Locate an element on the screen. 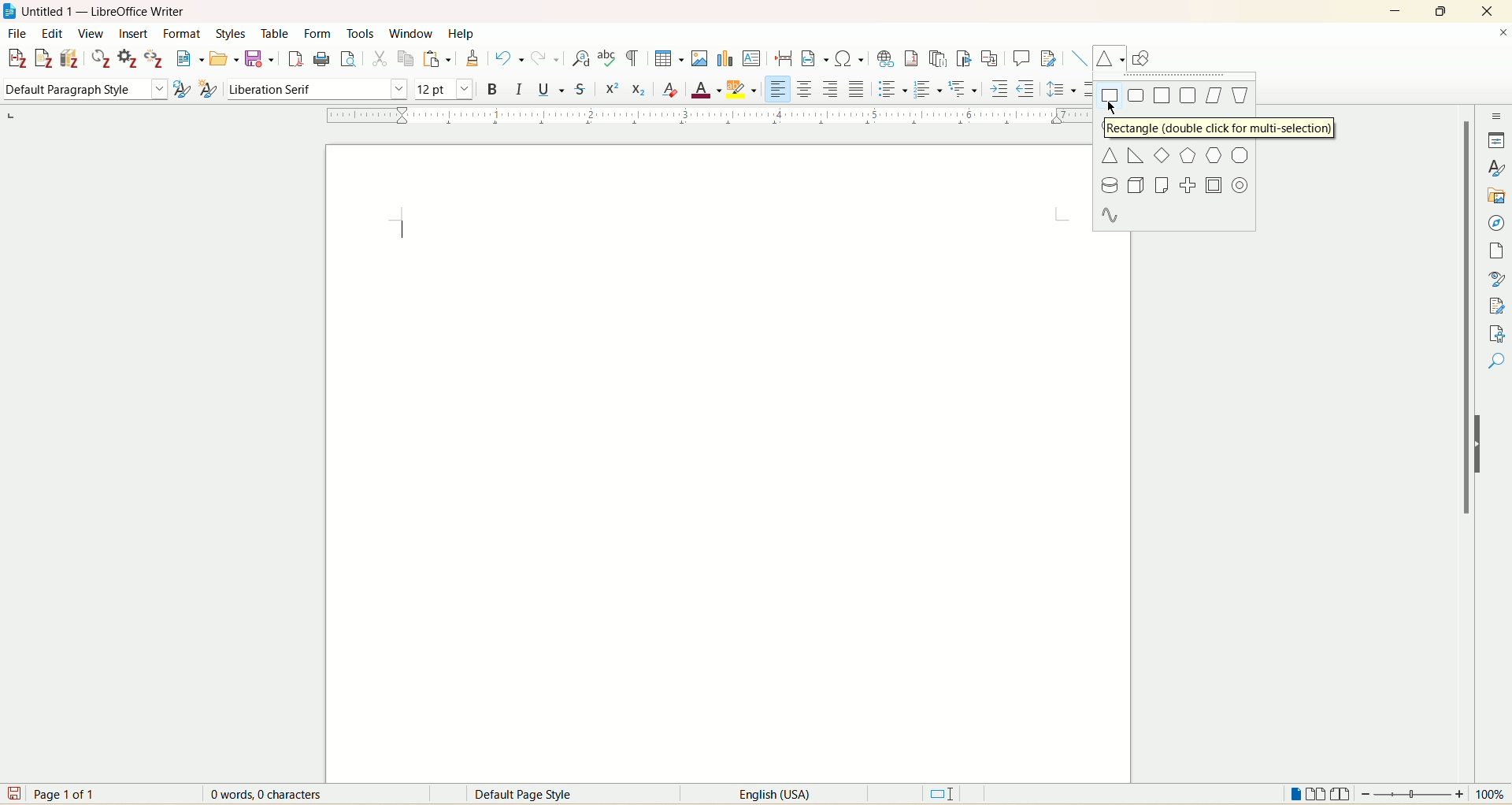 This screenshot has height=805, width=1512. square rounded is located at coordinates (1188, 95).